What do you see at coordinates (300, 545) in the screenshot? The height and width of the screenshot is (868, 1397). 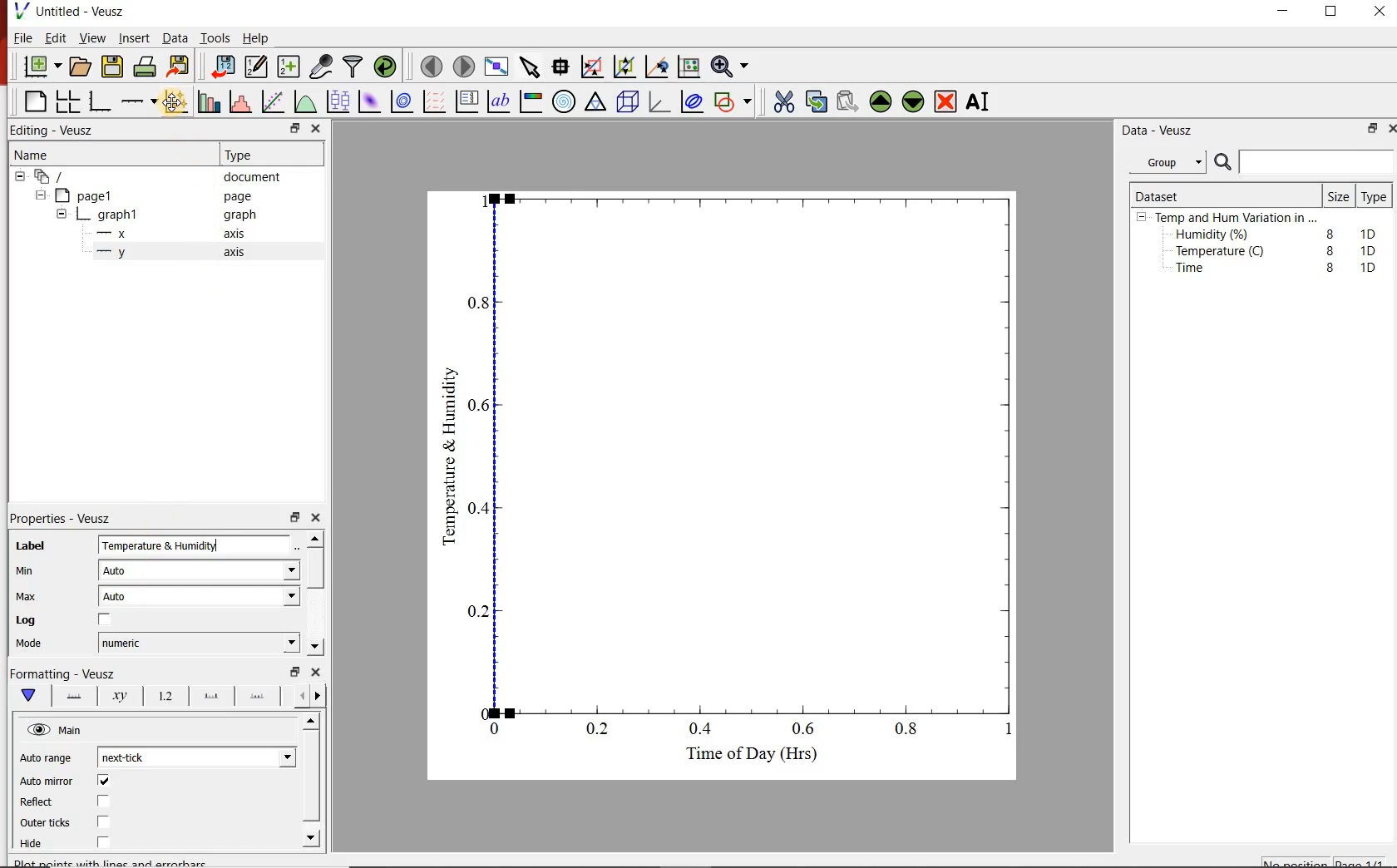 I see `Edit text` at bounding box center [300, 545].